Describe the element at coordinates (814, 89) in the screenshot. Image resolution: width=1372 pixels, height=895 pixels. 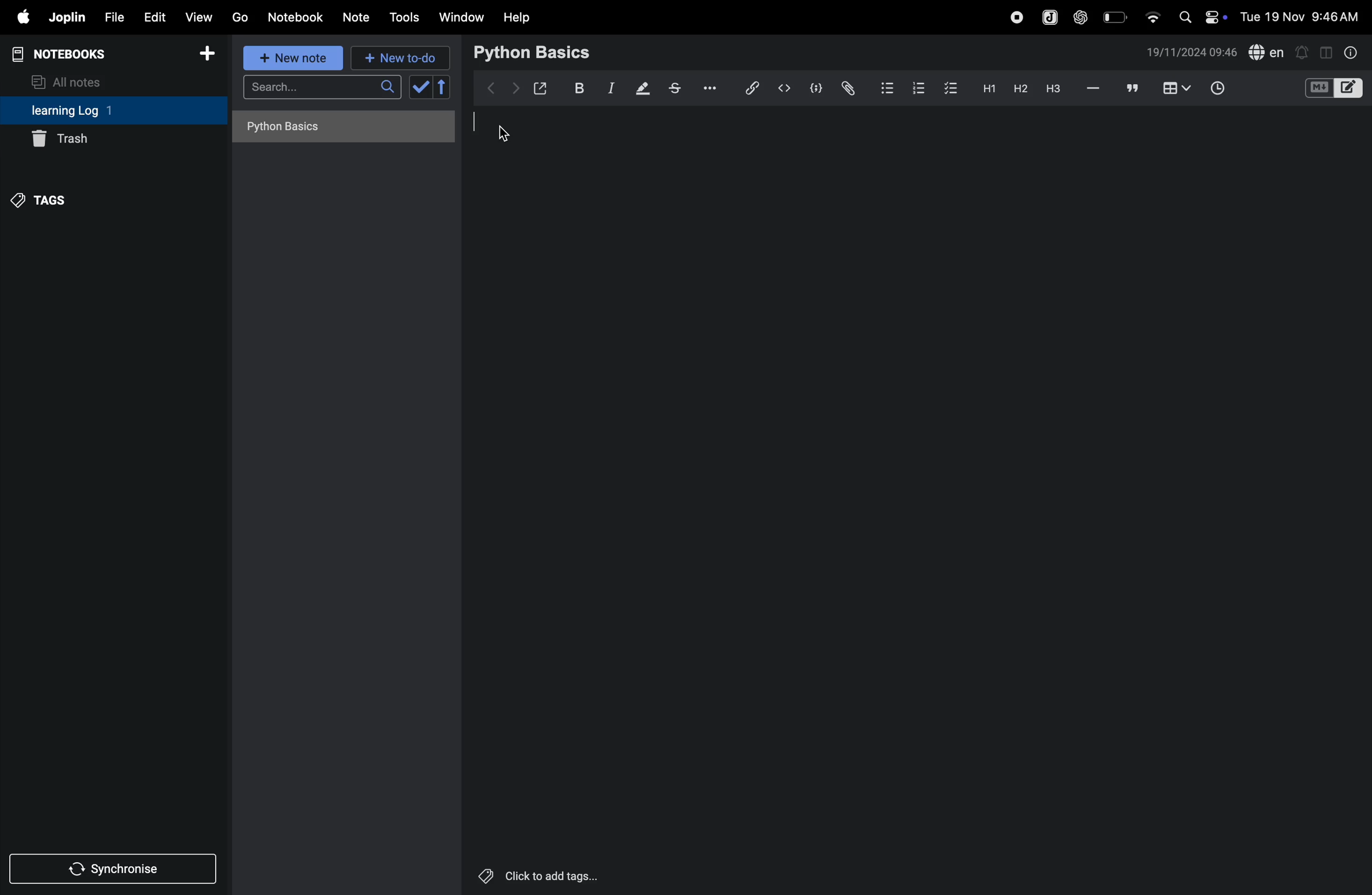
I see `code block` at that location.